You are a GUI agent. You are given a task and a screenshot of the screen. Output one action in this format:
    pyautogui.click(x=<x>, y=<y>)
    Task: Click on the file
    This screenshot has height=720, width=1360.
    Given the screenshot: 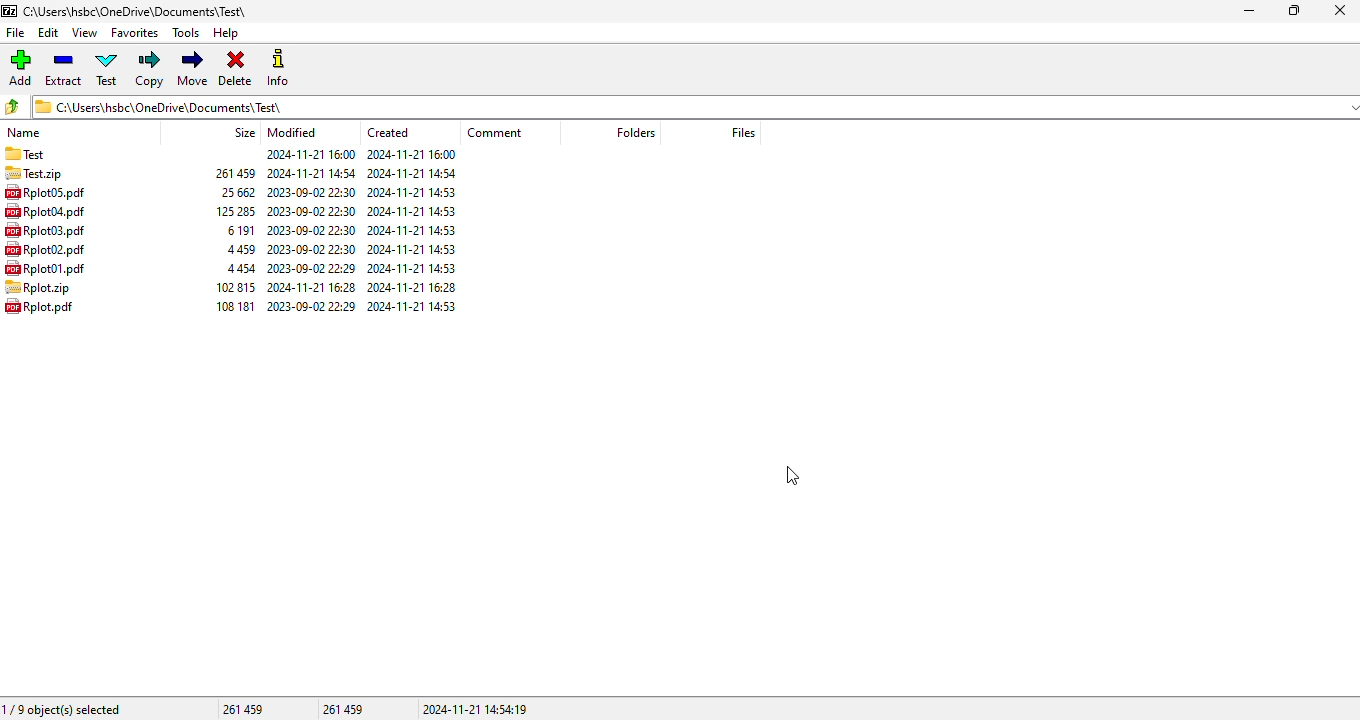 What is the action you would take?
    pyautogui.click(x=15, y=33)
    